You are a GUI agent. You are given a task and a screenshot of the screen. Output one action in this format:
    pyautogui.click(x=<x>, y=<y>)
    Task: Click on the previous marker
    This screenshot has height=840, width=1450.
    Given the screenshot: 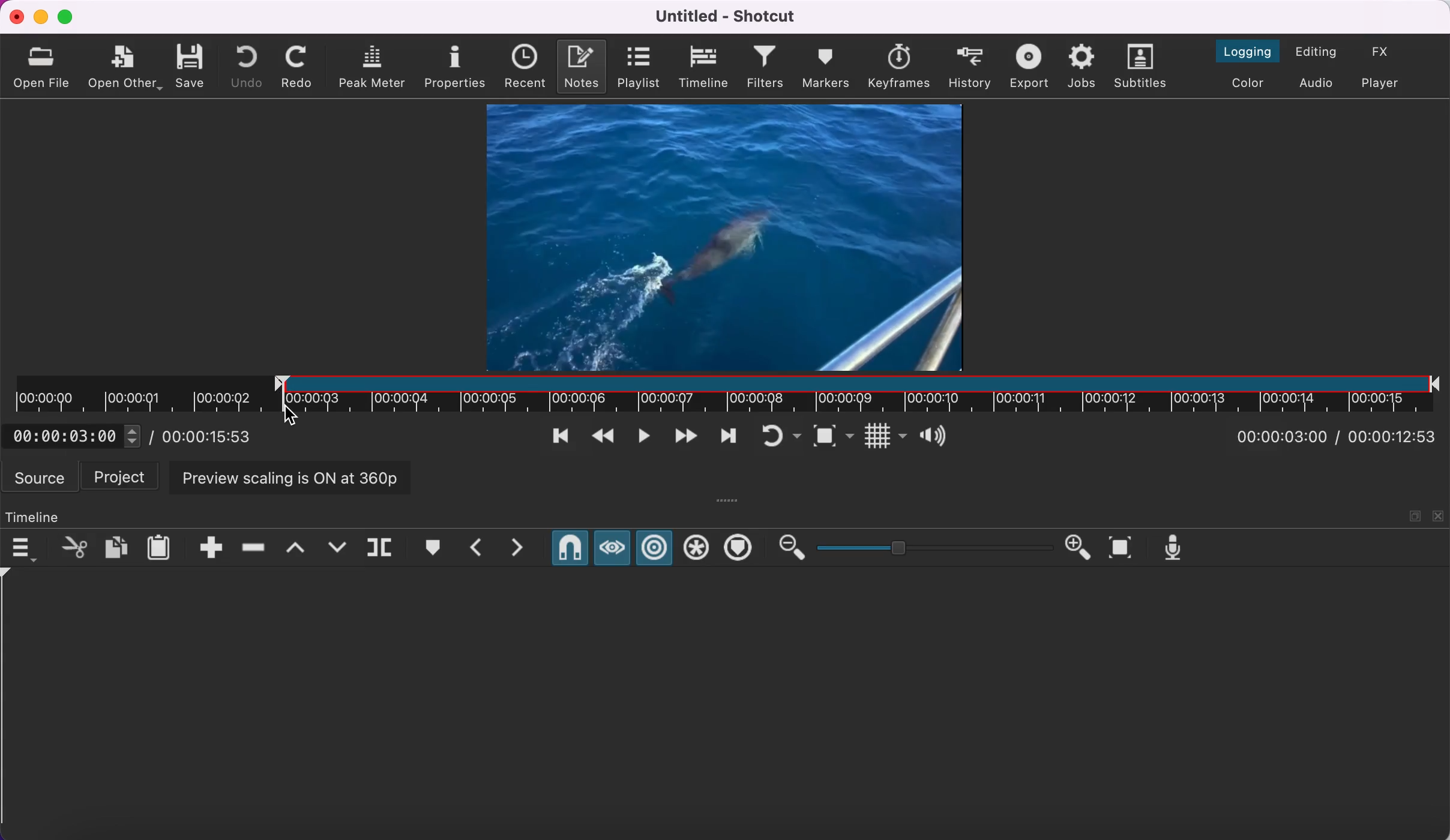 What is the action you would take?
    pyautogui.click(x=476, y=547)
    